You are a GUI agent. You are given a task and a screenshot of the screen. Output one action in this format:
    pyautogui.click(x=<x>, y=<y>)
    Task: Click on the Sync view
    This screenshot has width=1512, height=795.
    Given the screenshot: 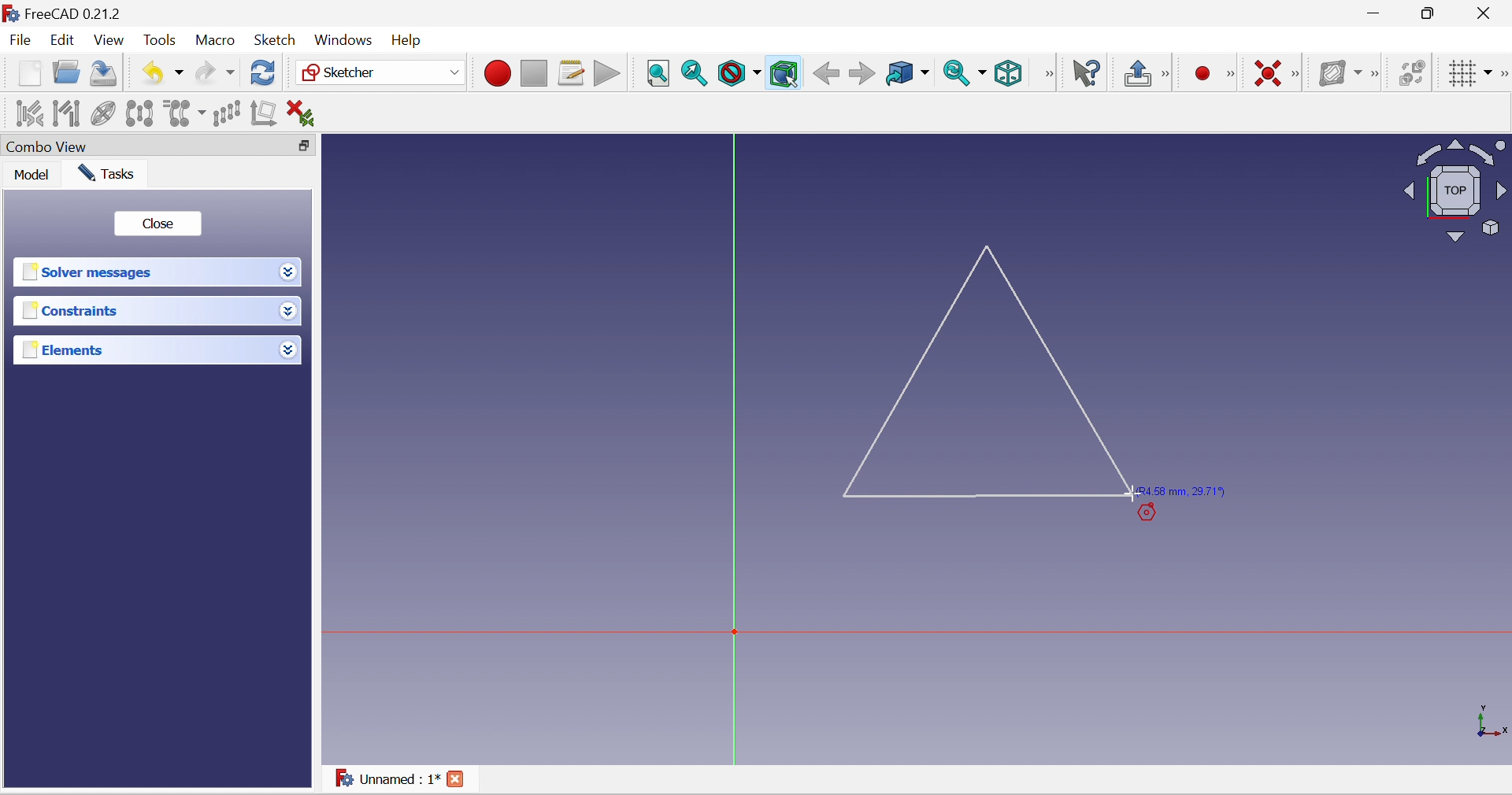 What is the action you would take?
    pyautogui.click(x=966, y=74)
    